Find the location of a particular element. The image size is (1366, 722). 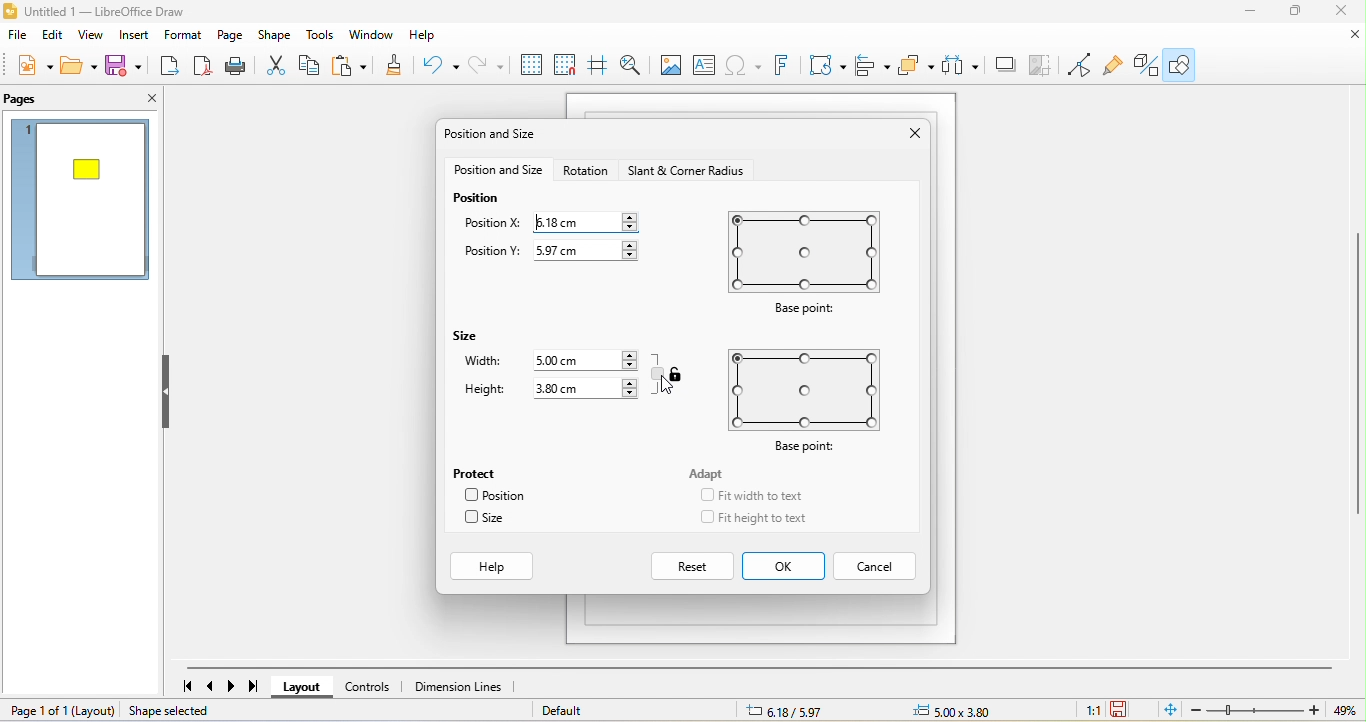

1:1 is located at coordinates (1093, 712).